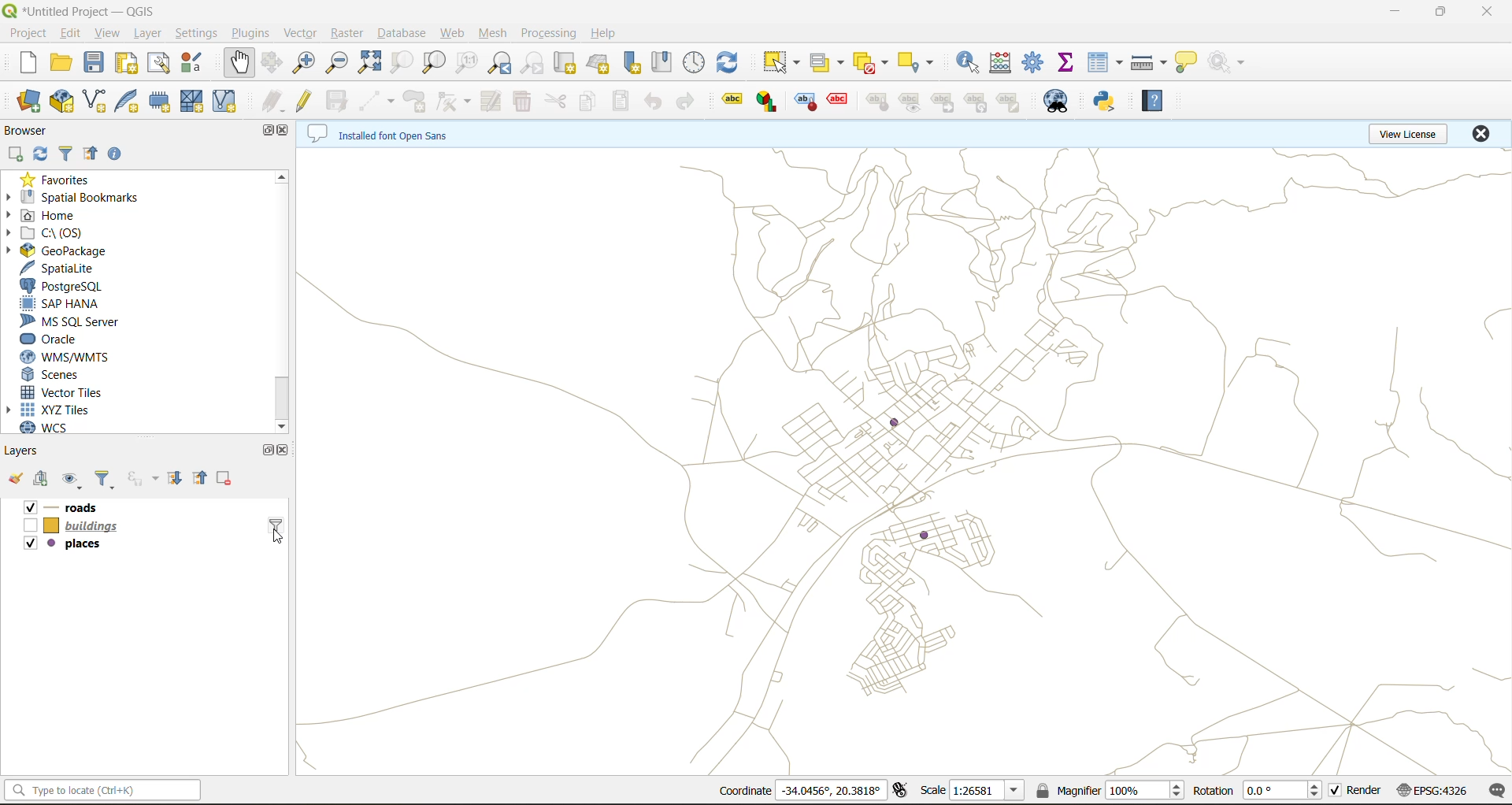 Image resolution: width=1512 pixels, height=805 pixels. I want to click on minimize, so click(1392, 14).